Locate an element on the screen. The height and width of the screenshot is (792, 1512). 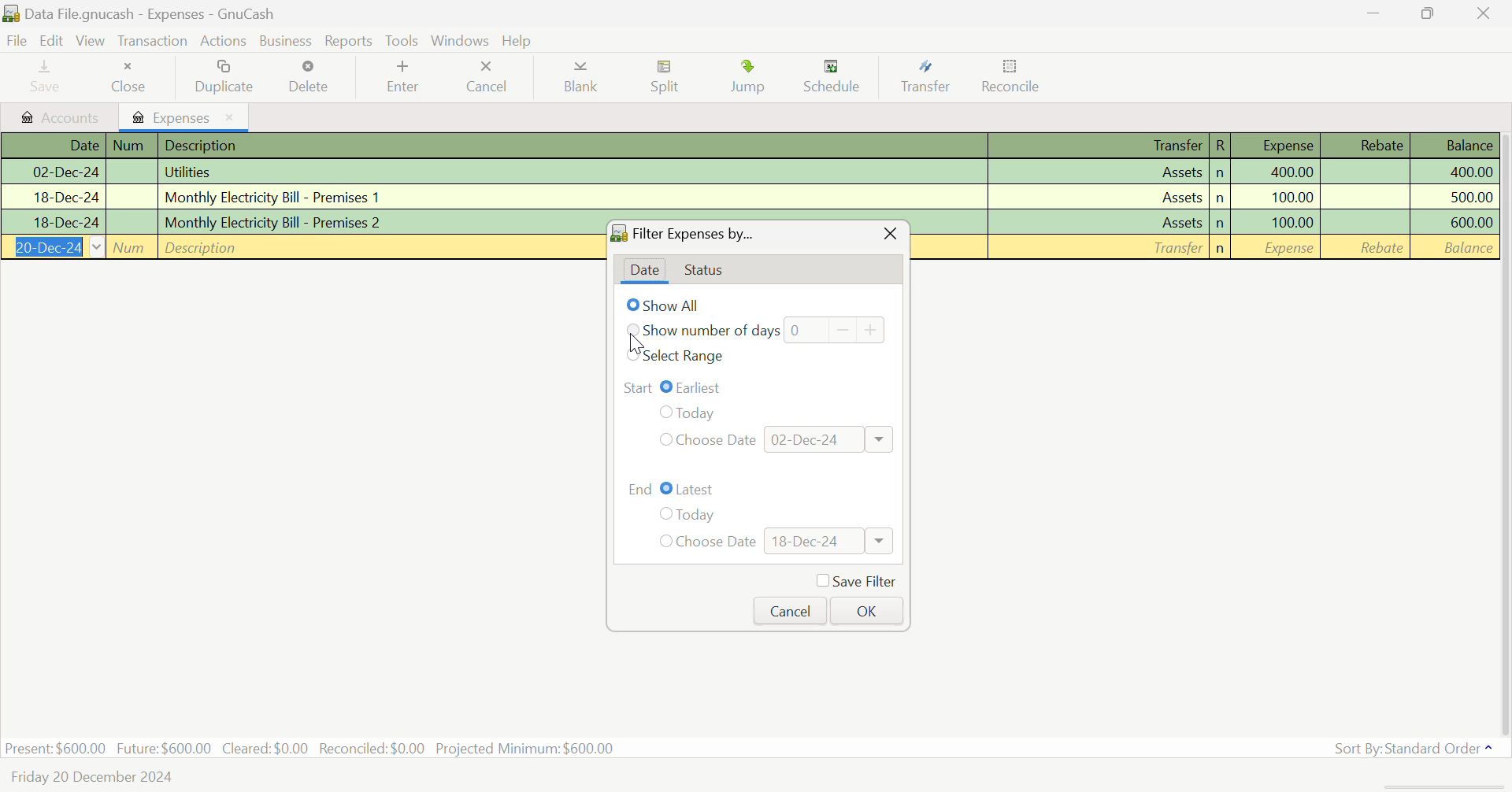
Expense is located at coordinates (1277, 146).